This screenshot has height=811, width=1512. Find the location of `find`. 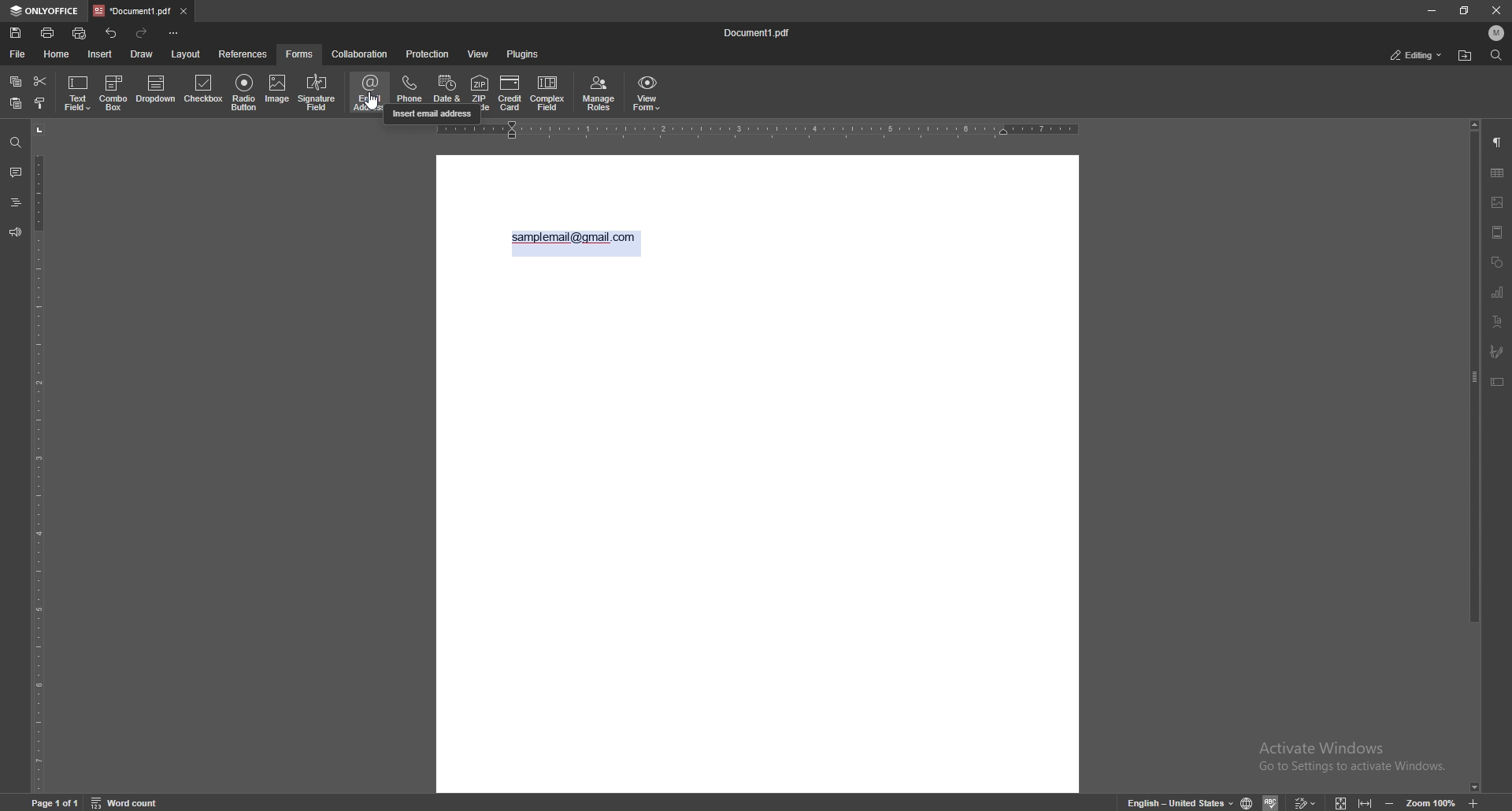

find is located at coordinates (16, 142).